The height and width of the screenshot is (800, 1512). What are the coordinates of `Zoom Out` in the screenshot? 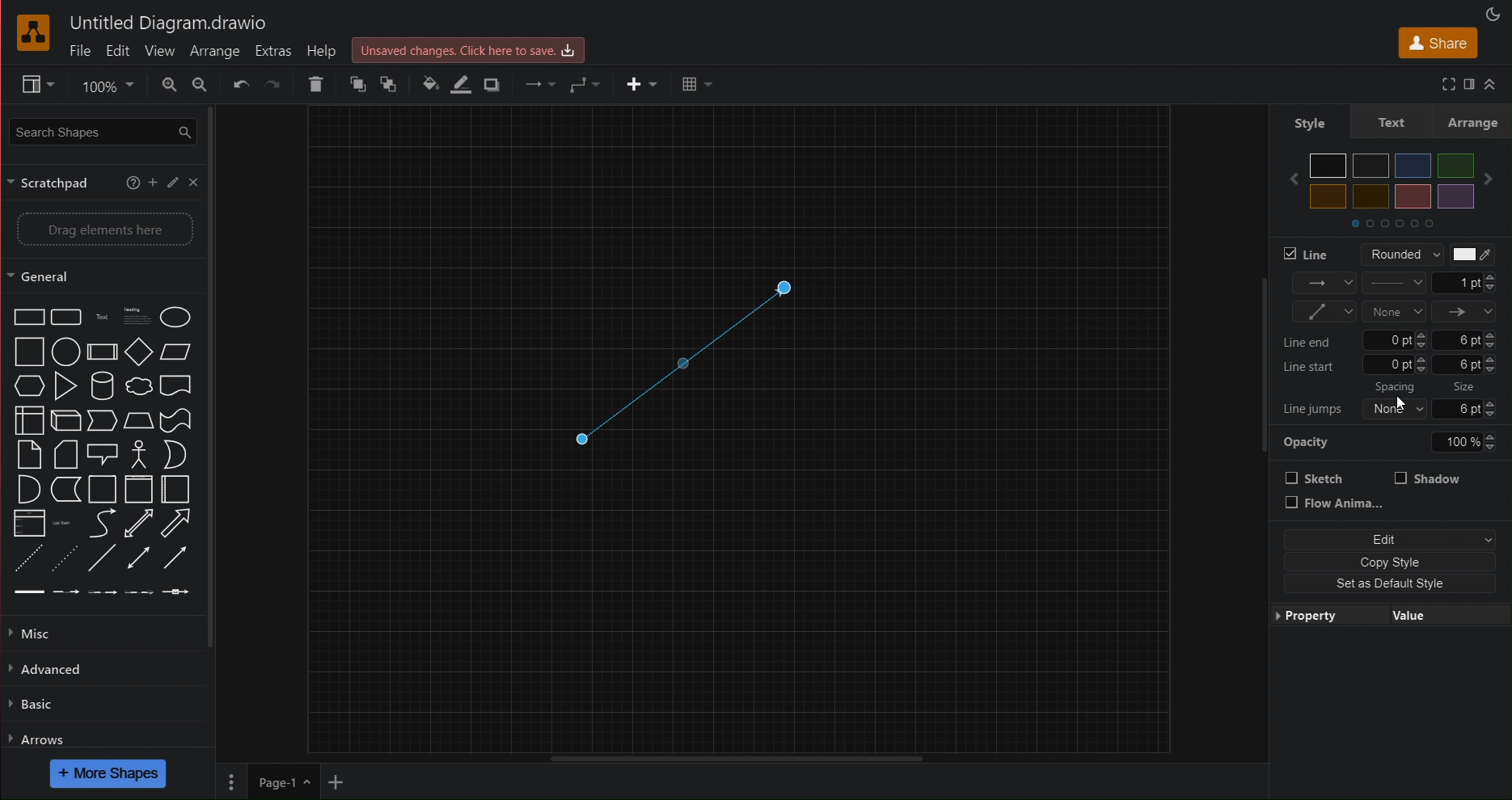 It's located at (201, 84).